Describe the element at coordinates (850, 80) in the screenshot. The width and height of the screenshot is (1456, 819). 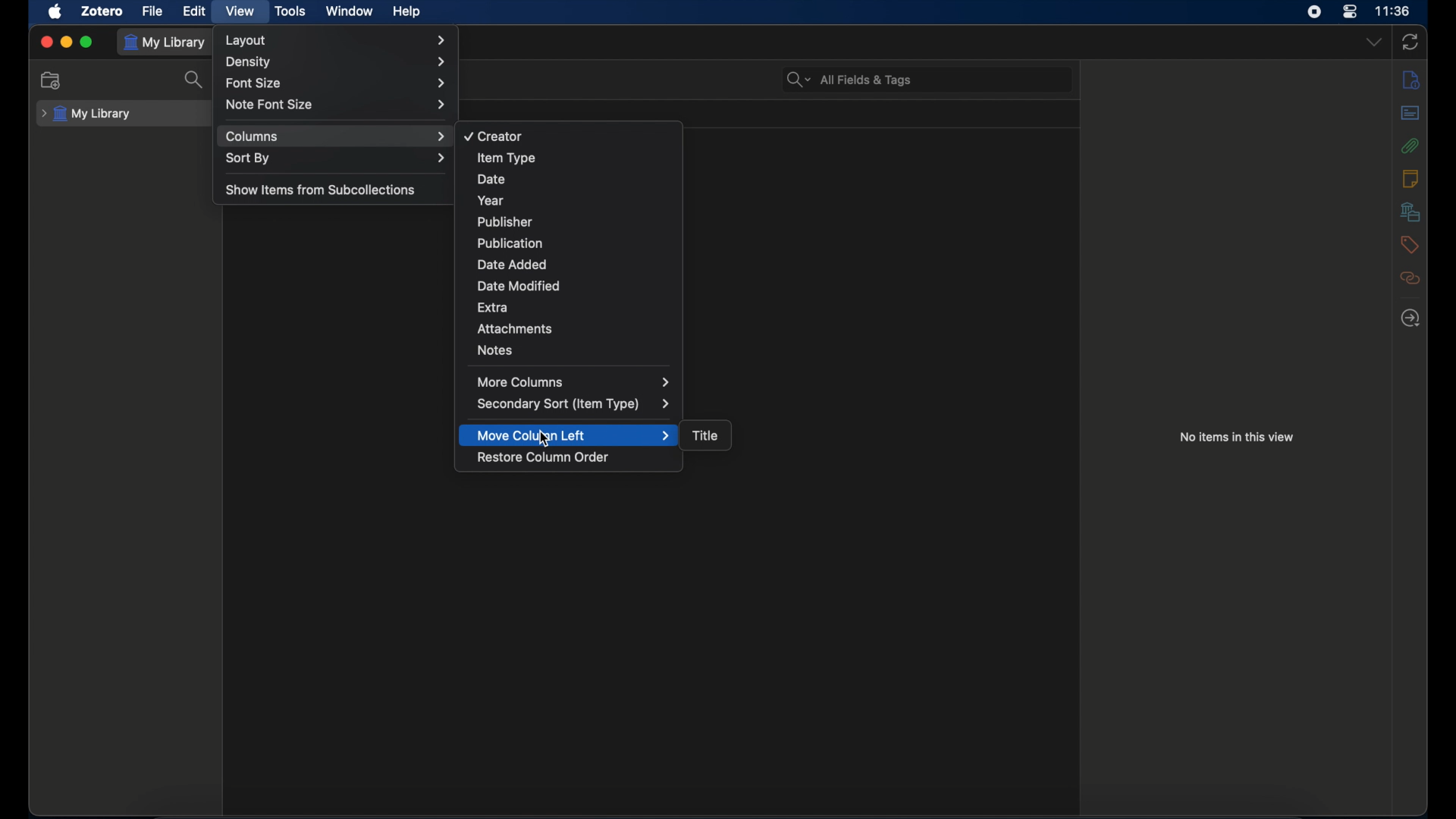
I see `search bar` at that location.